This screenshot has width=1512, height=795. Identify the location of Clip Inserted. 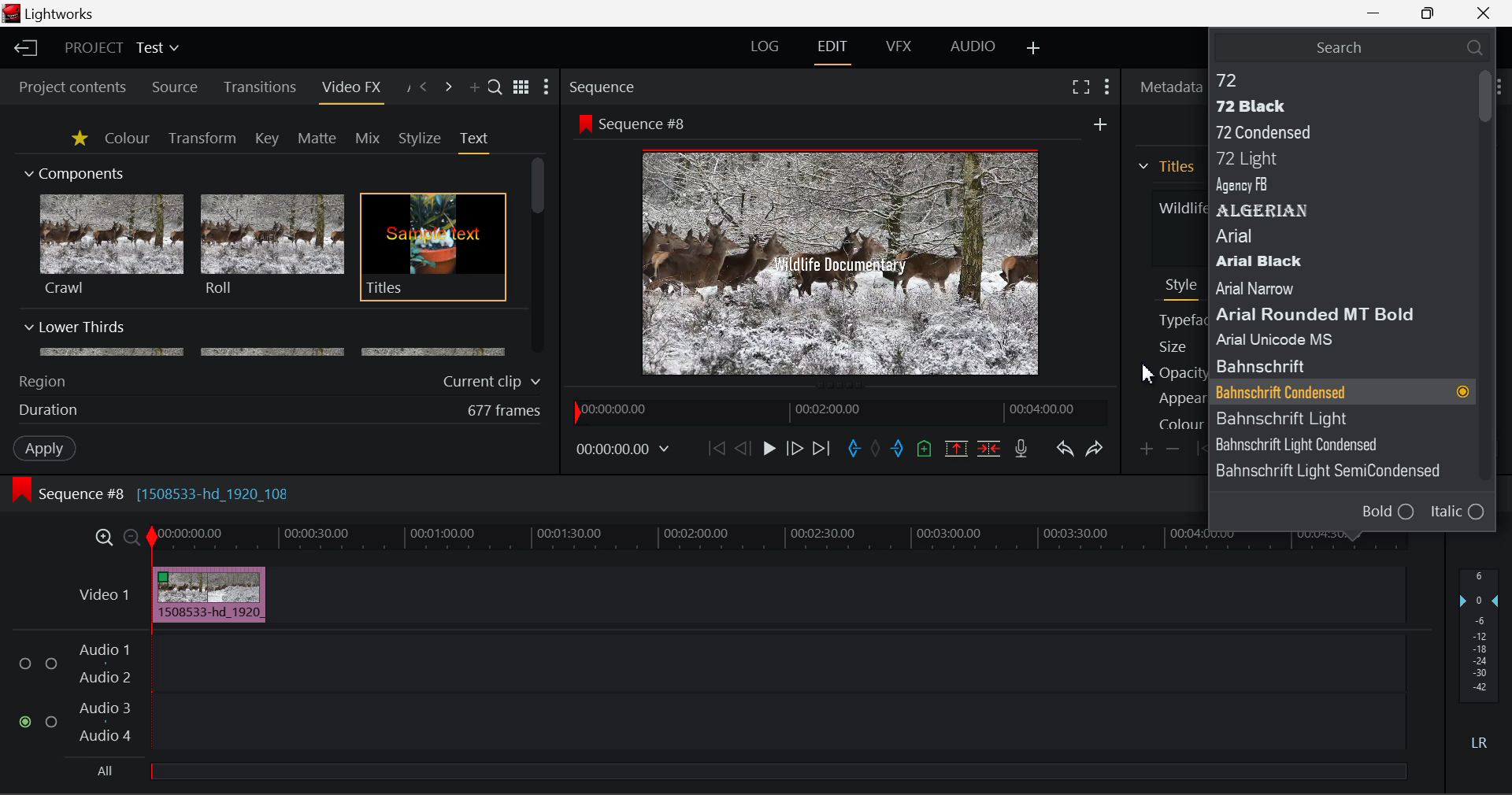
(205, 595).